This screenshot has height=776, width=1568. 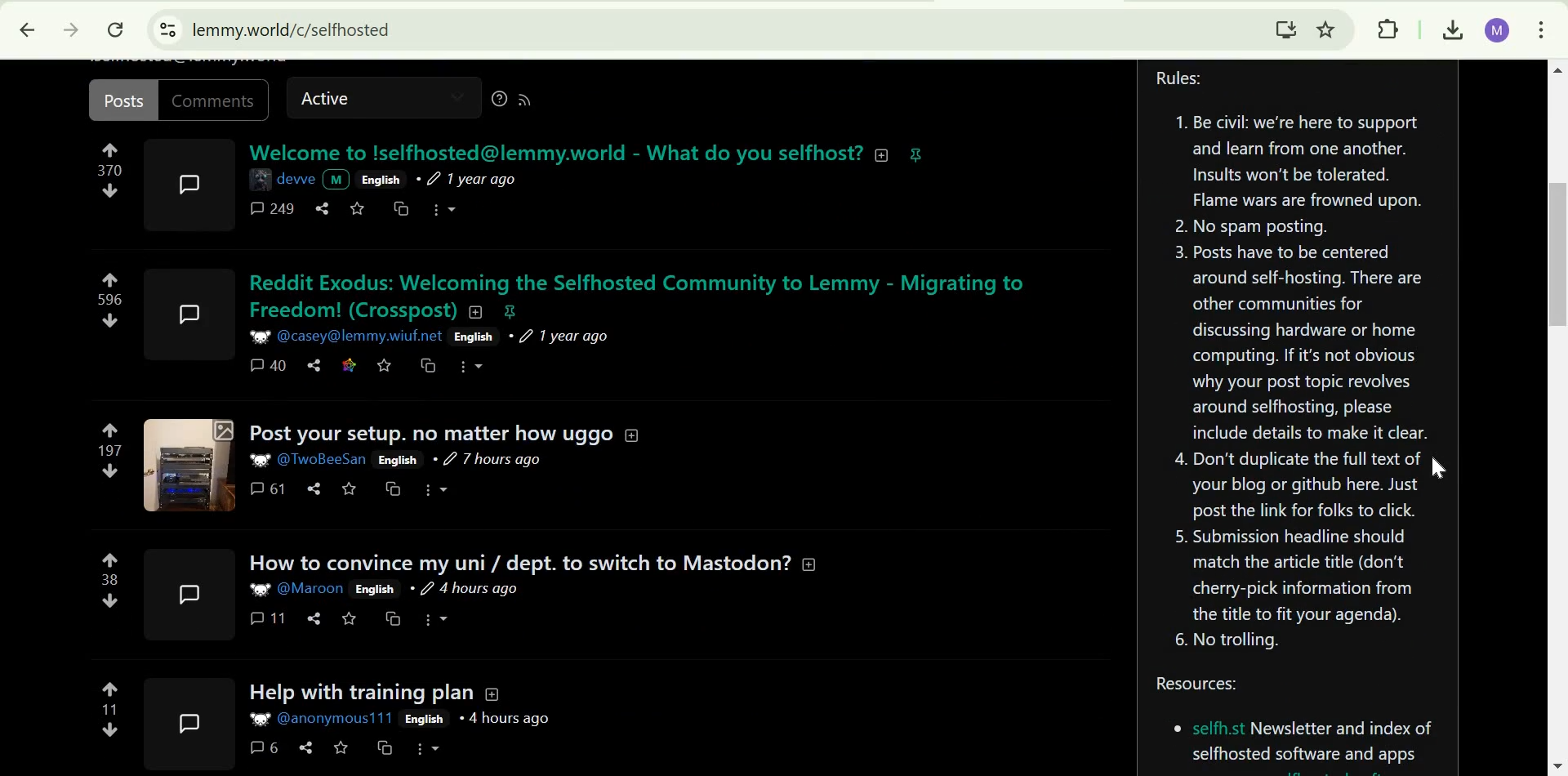 I want to click on cross post, so click(x=400, y=208).